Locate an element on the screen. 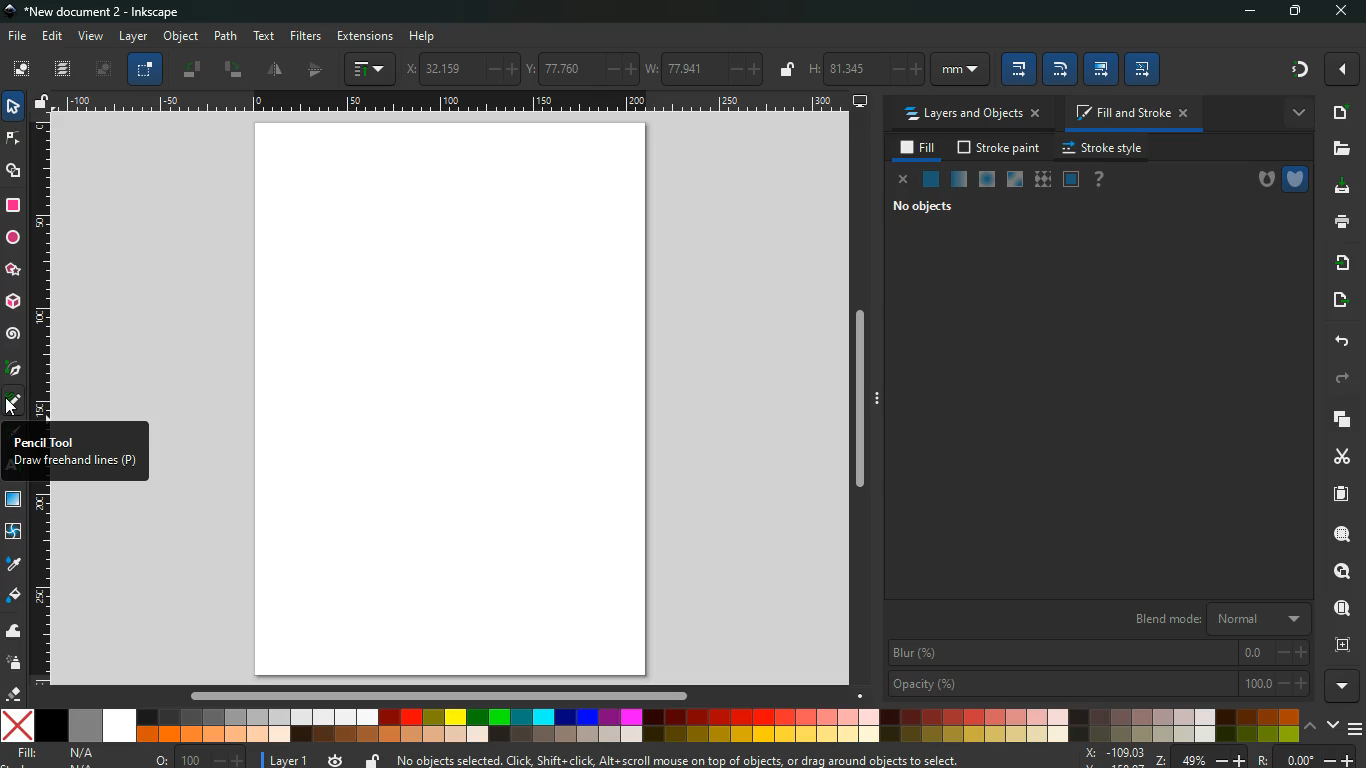 This screenshot has width=1366, height=768. back is located at coordinates (1340, 342).